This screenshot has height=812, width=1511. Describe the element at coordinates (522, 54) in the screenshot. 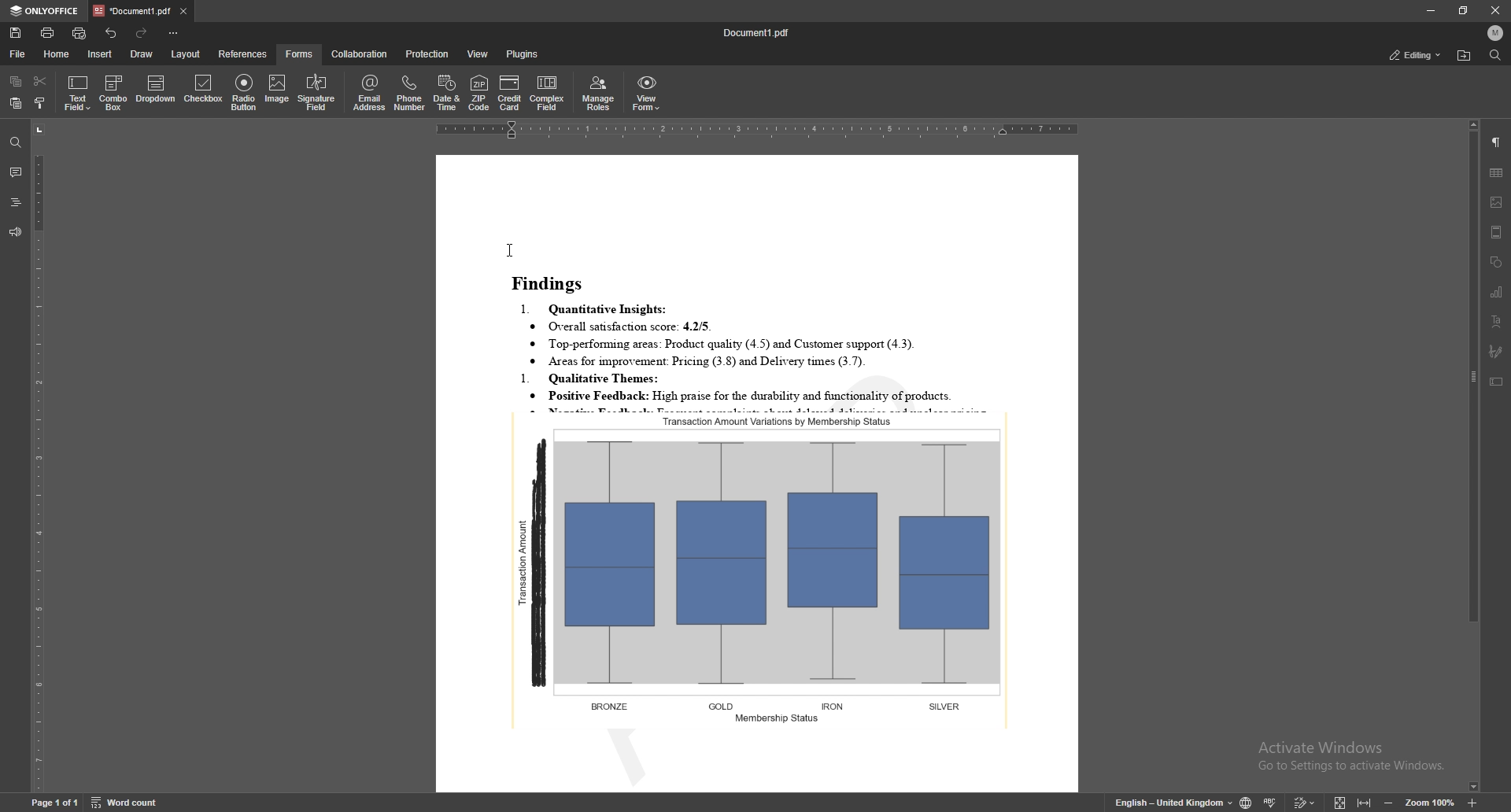

I see `plugins` at that location.